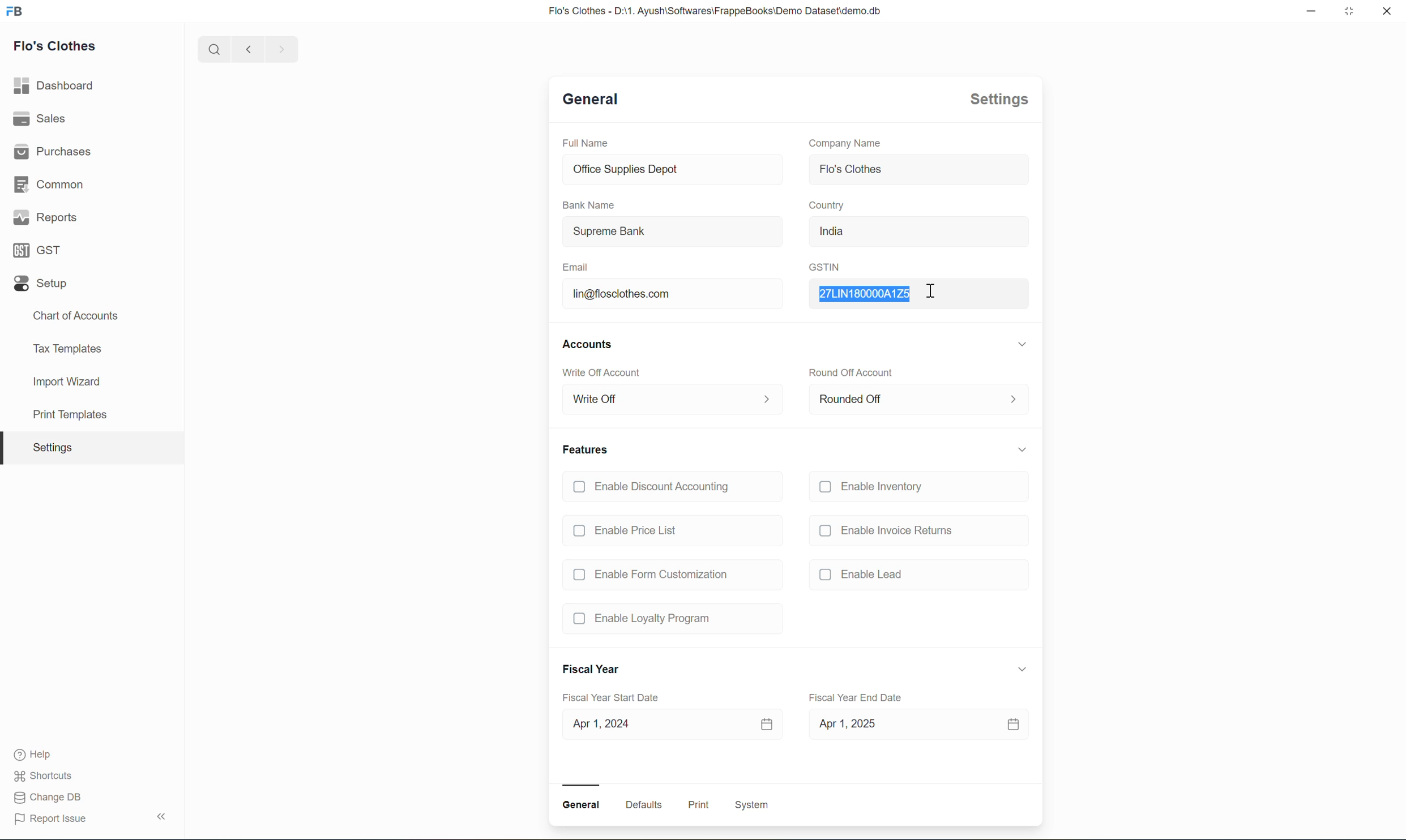 The image size is (1406, 840). Describe the element at coordinates (75, 316) in the screenshot. I see `Chart of Accounts` at that location.